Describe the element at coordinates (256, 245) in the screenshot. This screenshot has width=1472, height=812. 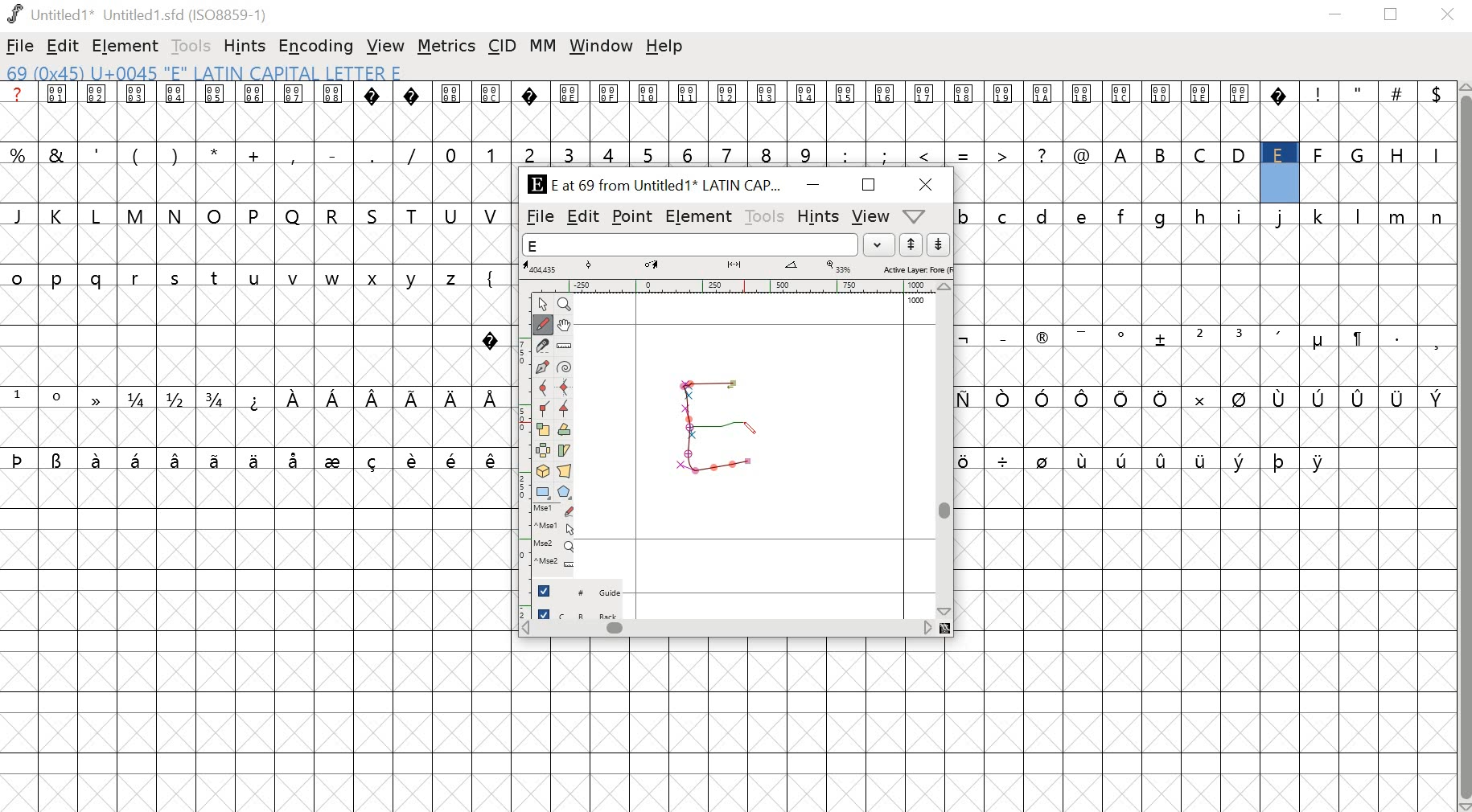
I see `empty cells` at that location.